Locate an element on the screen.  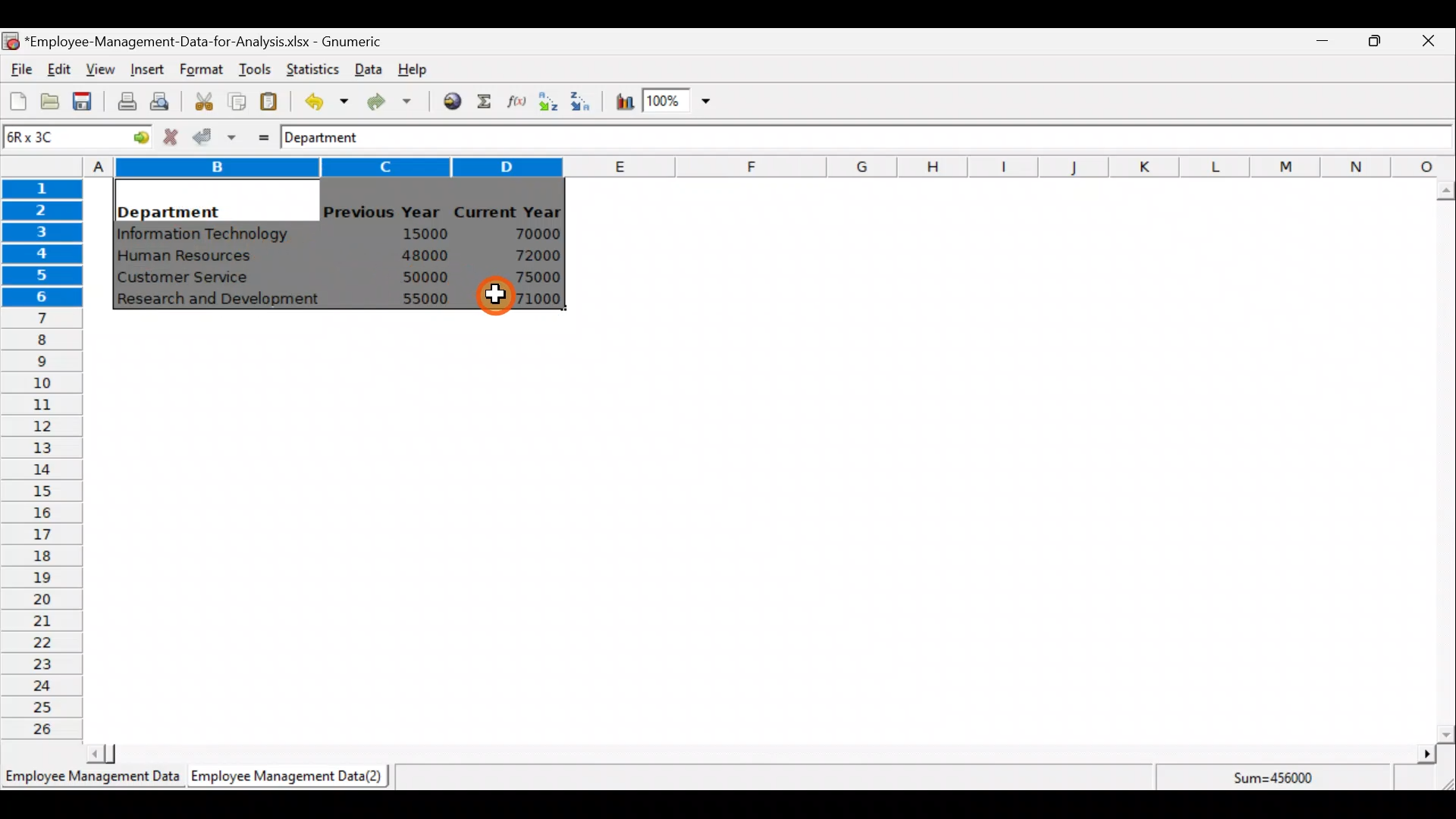
Open a file is located at coordinates (54, 103).